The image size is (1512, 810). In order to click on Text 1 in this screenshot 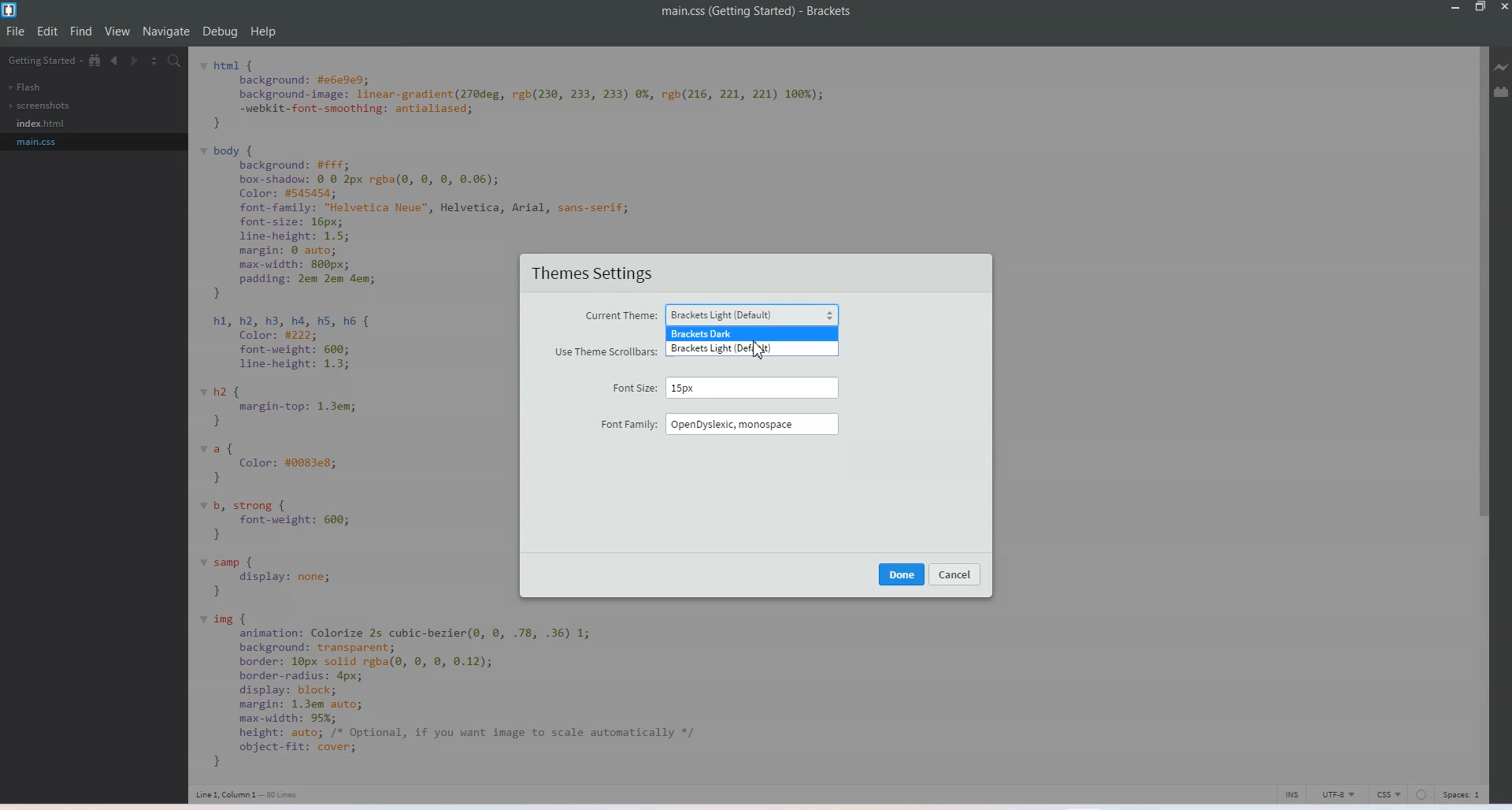, I will do `click(757, 12)`.